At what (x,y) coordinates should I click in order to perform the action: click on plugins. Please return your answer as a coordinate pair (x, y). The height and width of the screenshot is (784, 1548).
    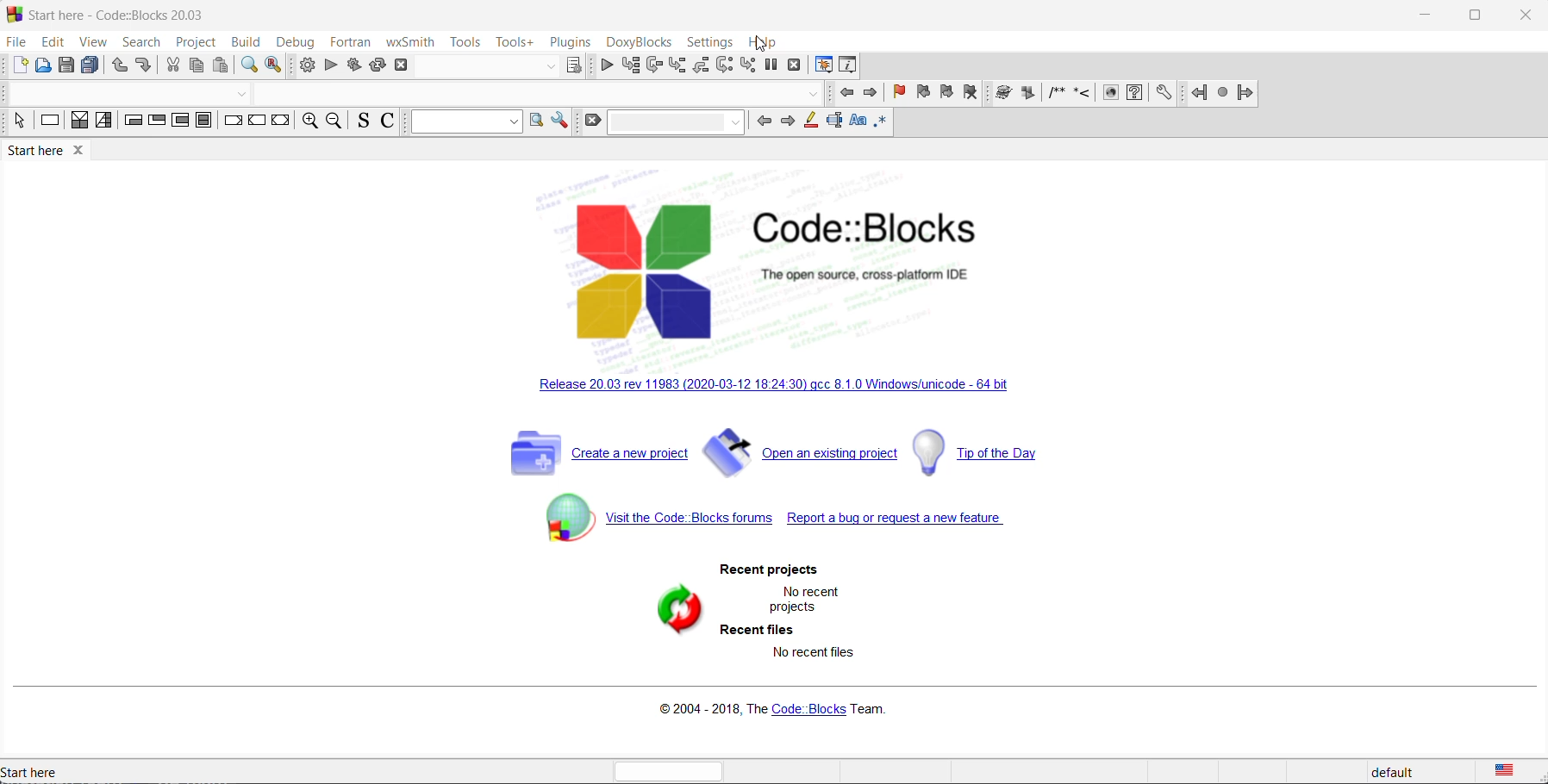
    Looking at the image, I should click on (569, 40).